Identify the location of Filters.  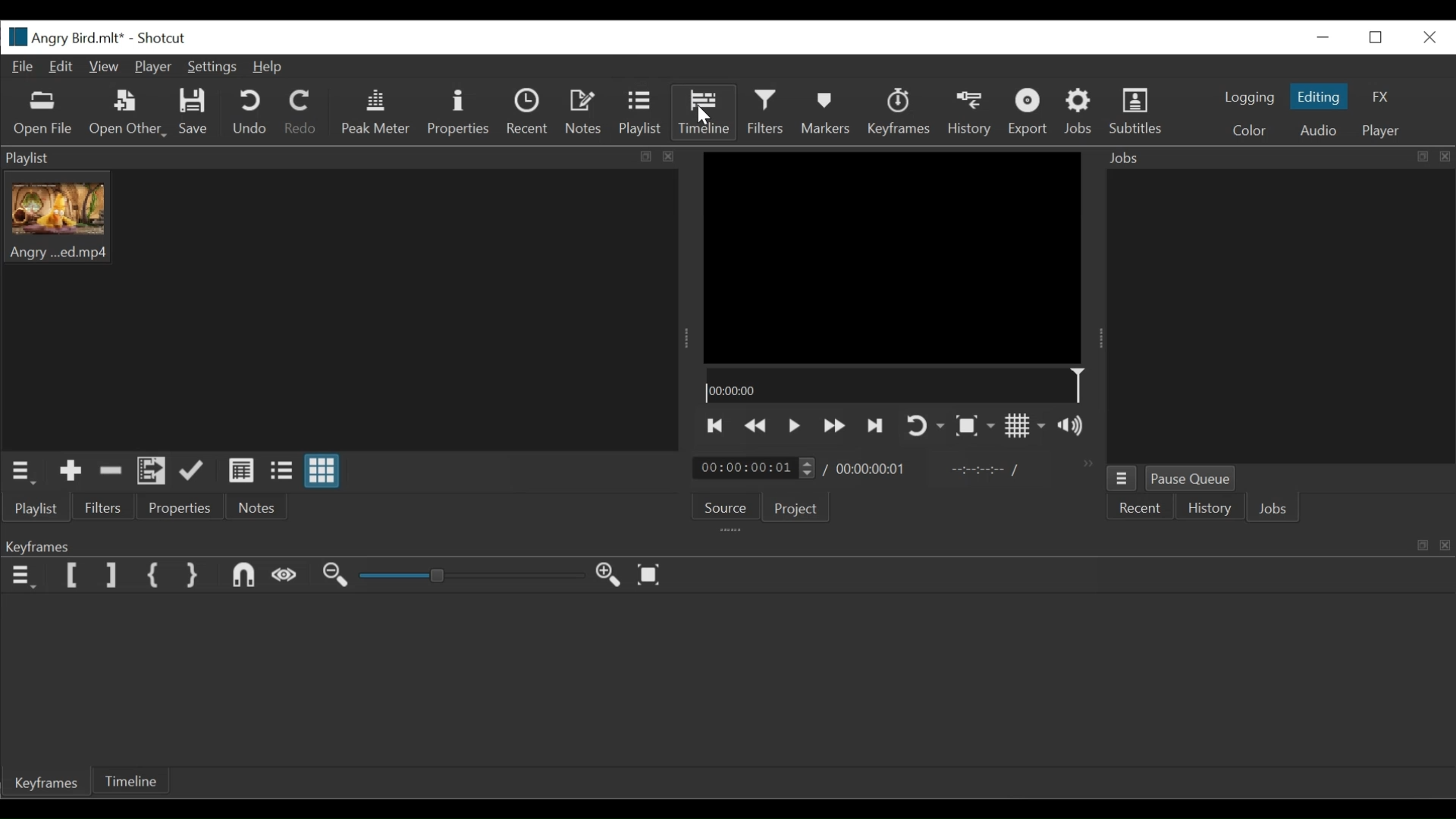
(102, 507).